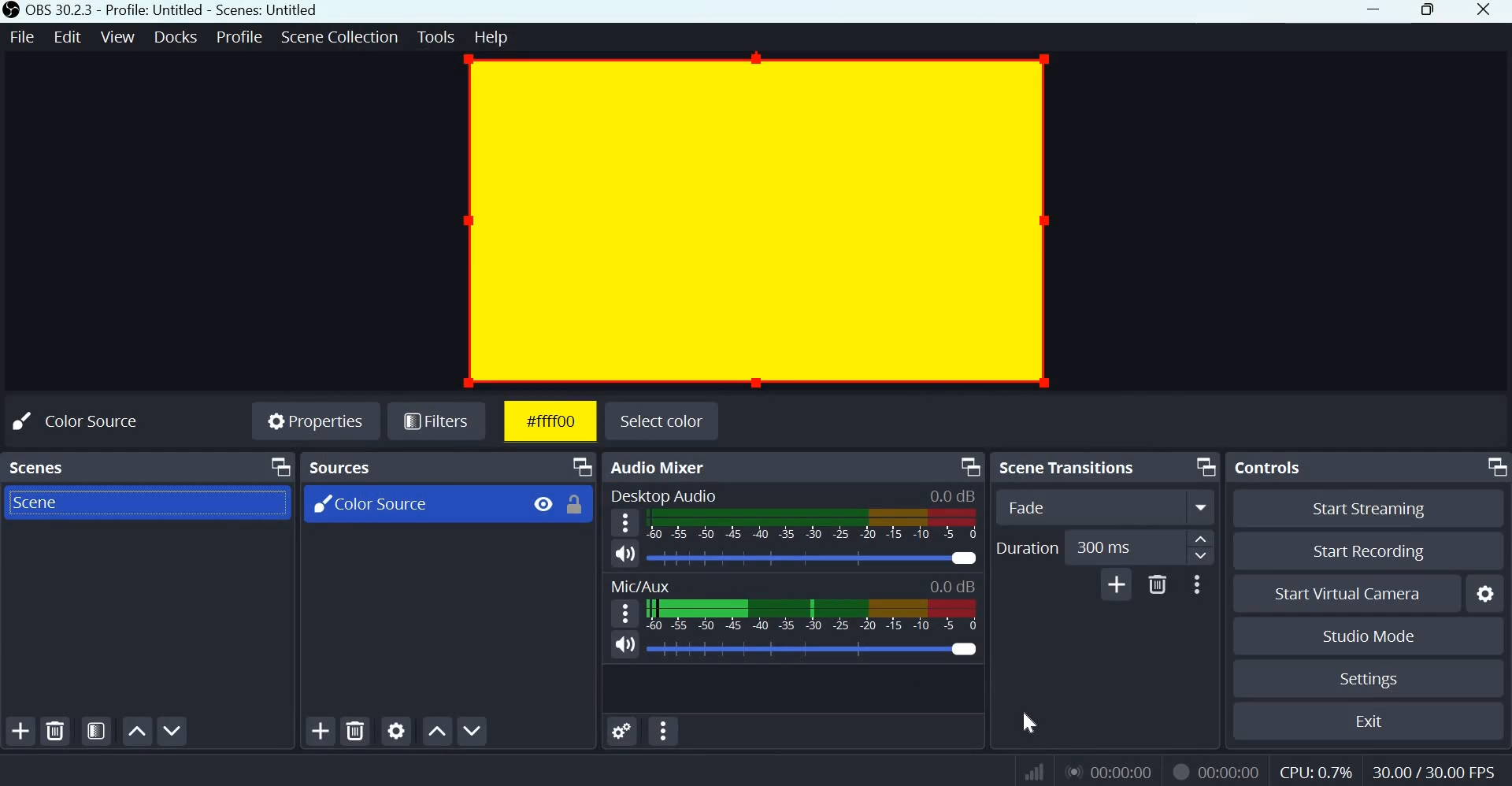 This screenshot has height=786, width=1512. Describe the element at coordinates (1272, 465) in the screenshot. I see `Controls` at that location.